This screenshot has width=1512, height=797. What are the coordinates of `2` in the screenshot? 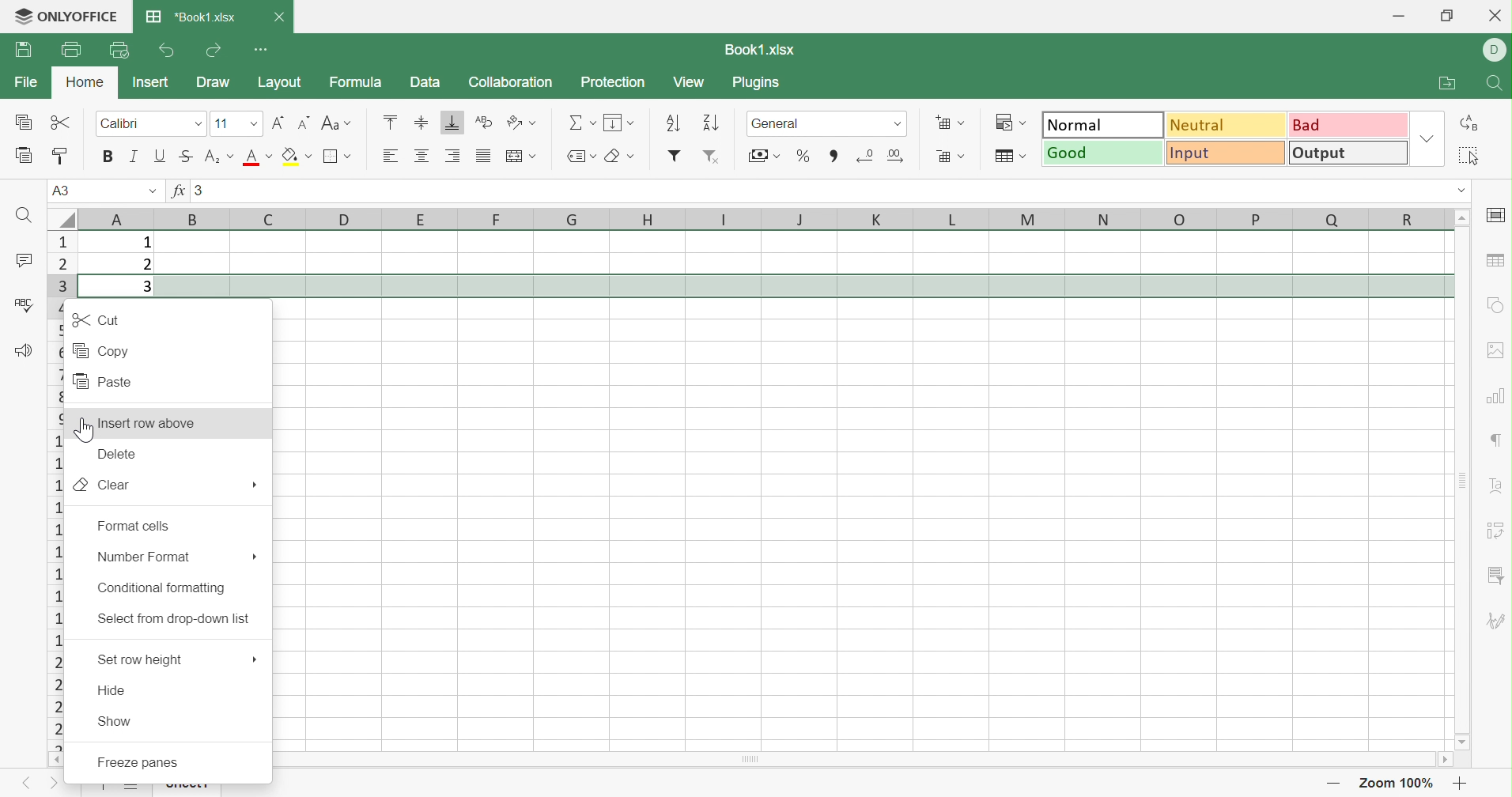 It's located at (146, 266).